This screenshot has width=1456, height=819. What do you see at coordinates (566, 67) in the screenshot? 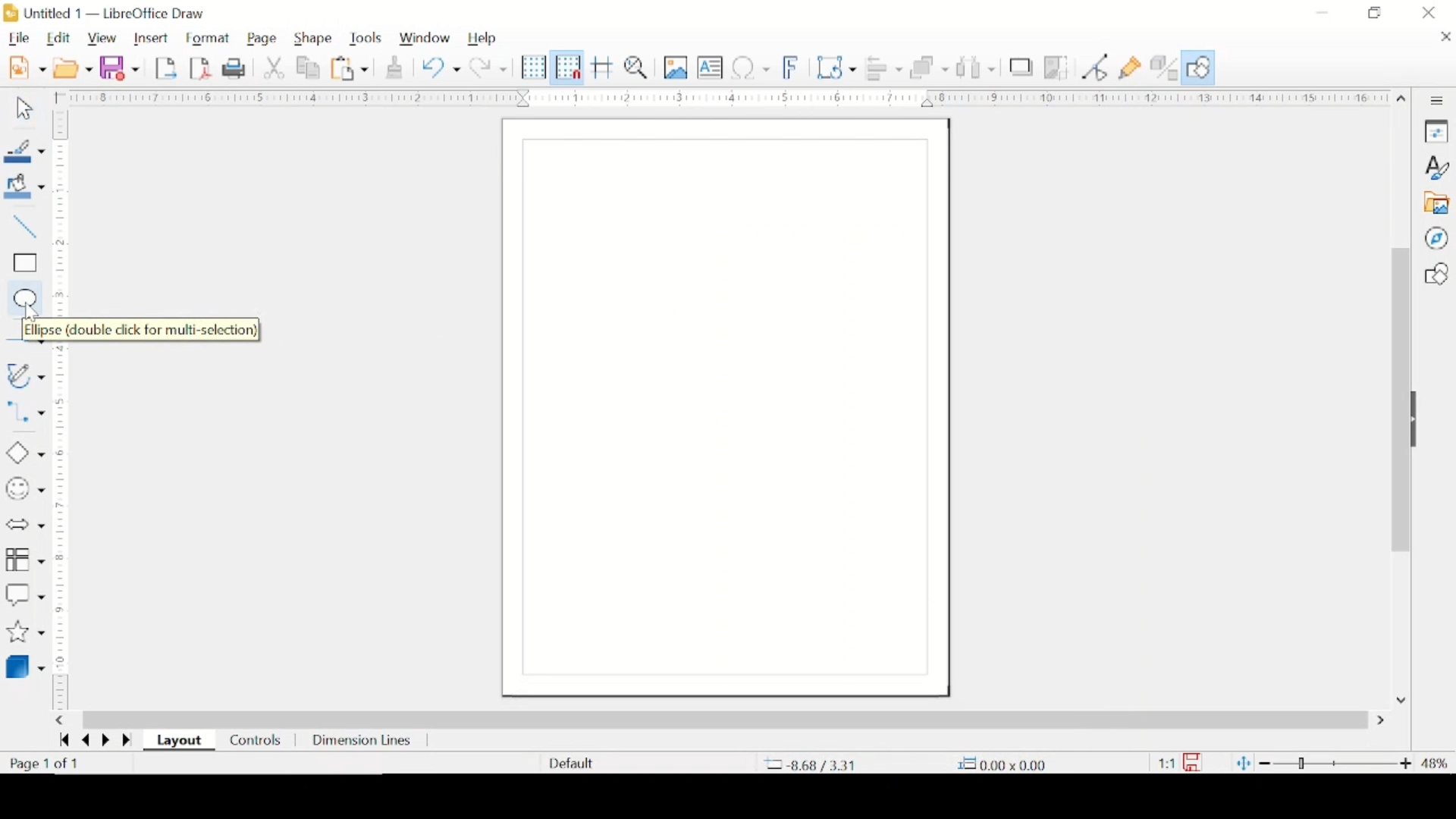
I see `snap to grid` at bounding box center [566, 67].